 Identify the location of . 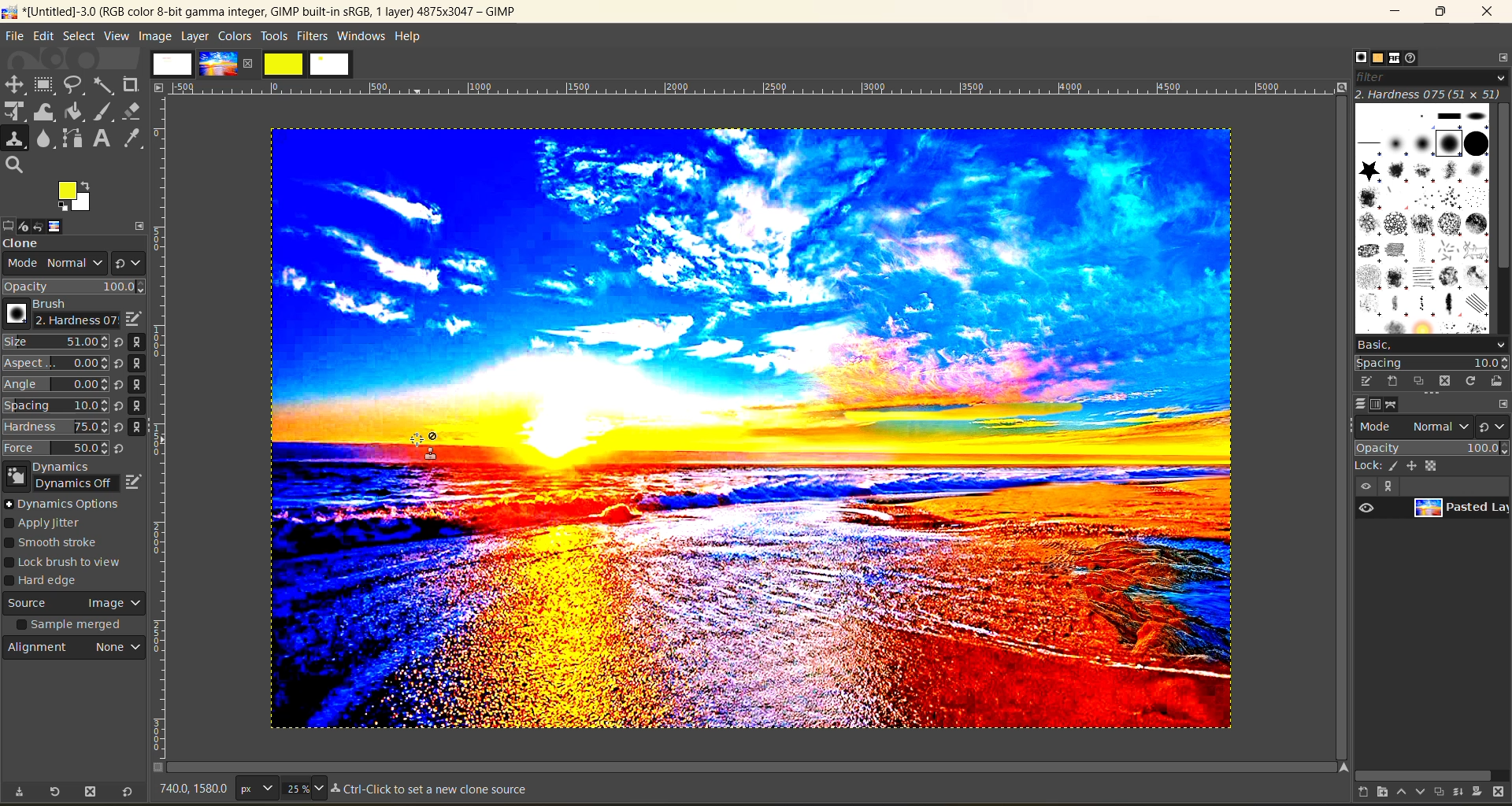
(159, 87).